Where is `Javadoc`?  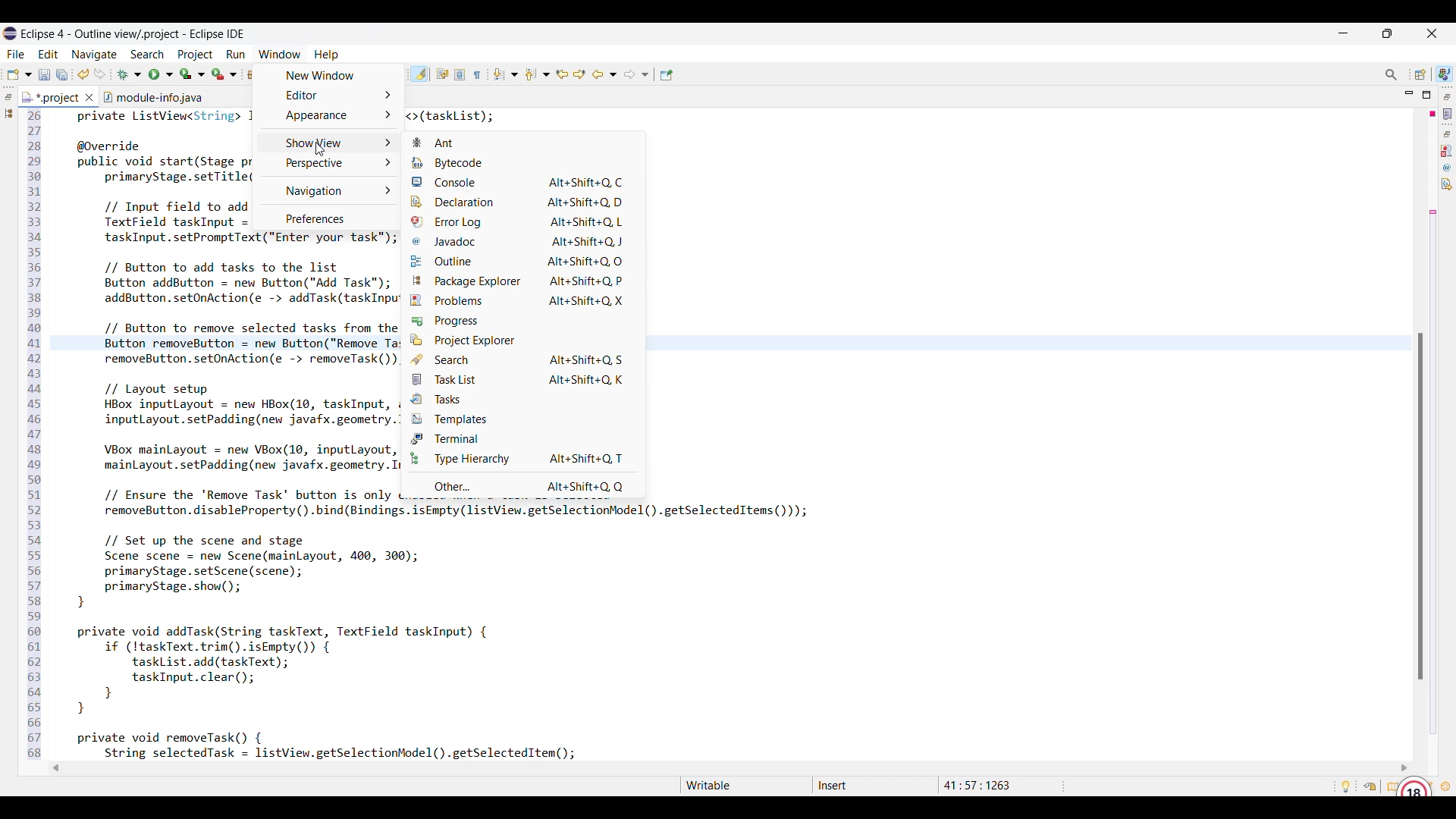 Javadoc is located at coordinates (1448, 168).